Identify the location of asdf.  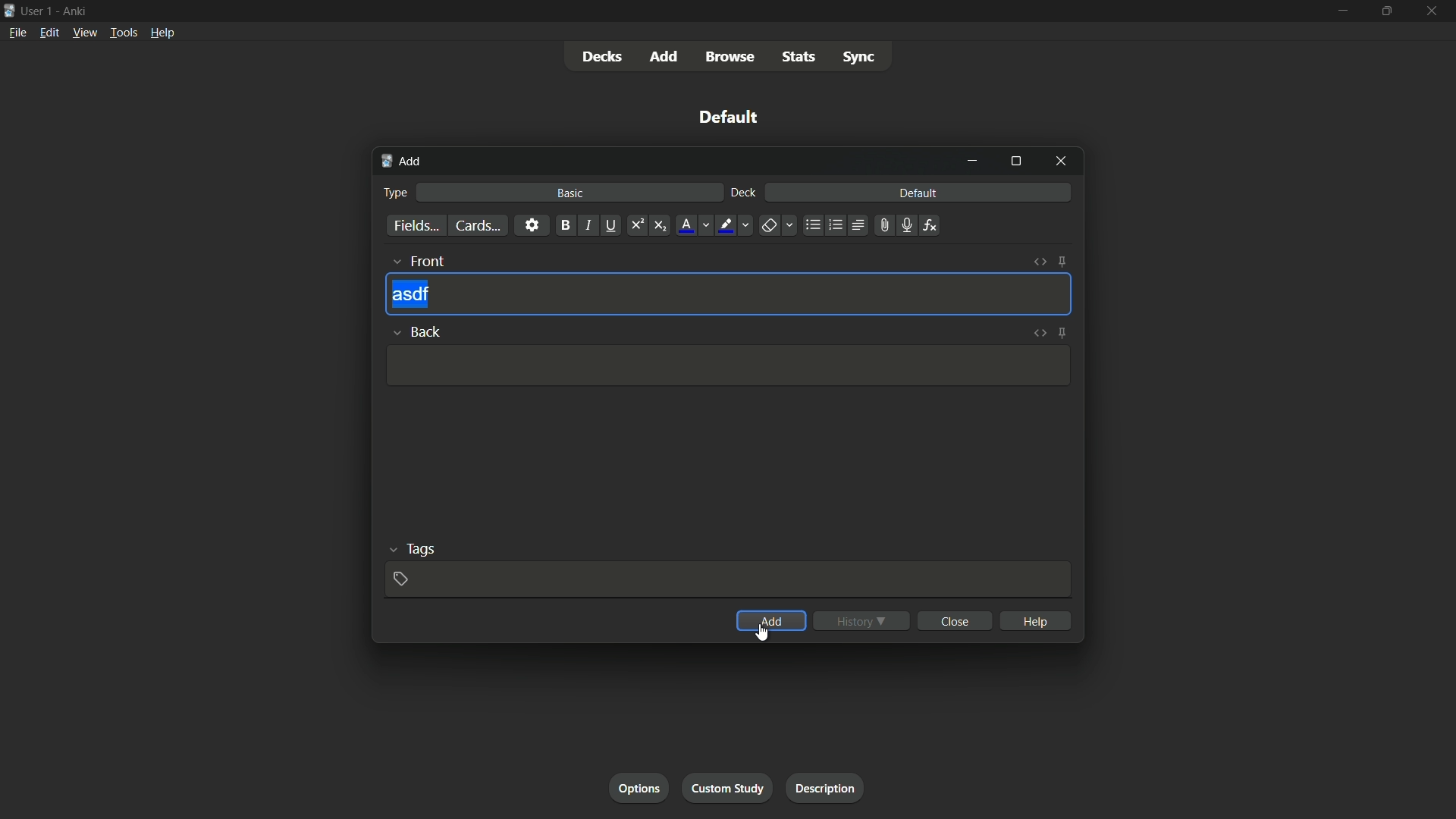
(411, 295).